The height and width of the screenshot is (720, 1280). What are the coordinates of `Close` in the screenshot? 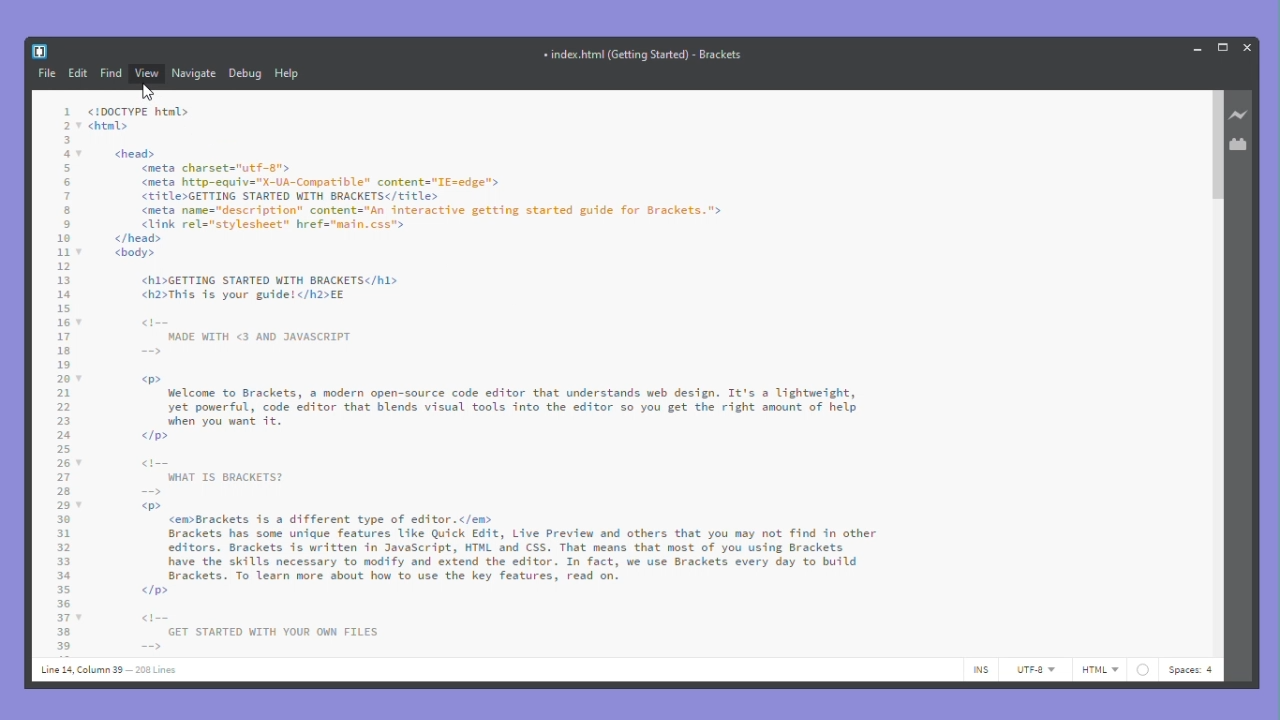 It's located at (1249, 46).